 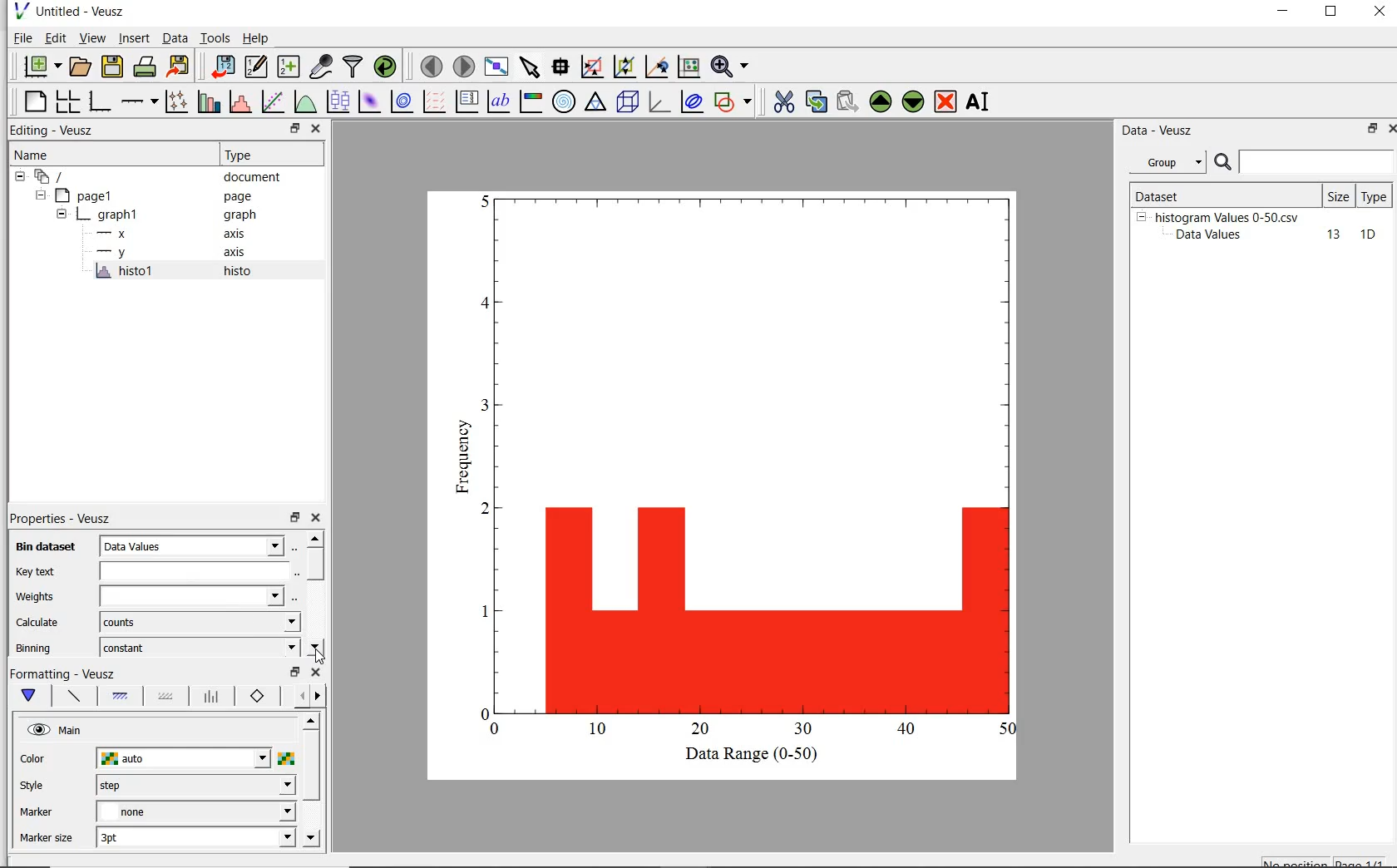 What do you see at coordinates (748, 464) in the screenshot?
I see `Graph` at bounding box center [748, 464].